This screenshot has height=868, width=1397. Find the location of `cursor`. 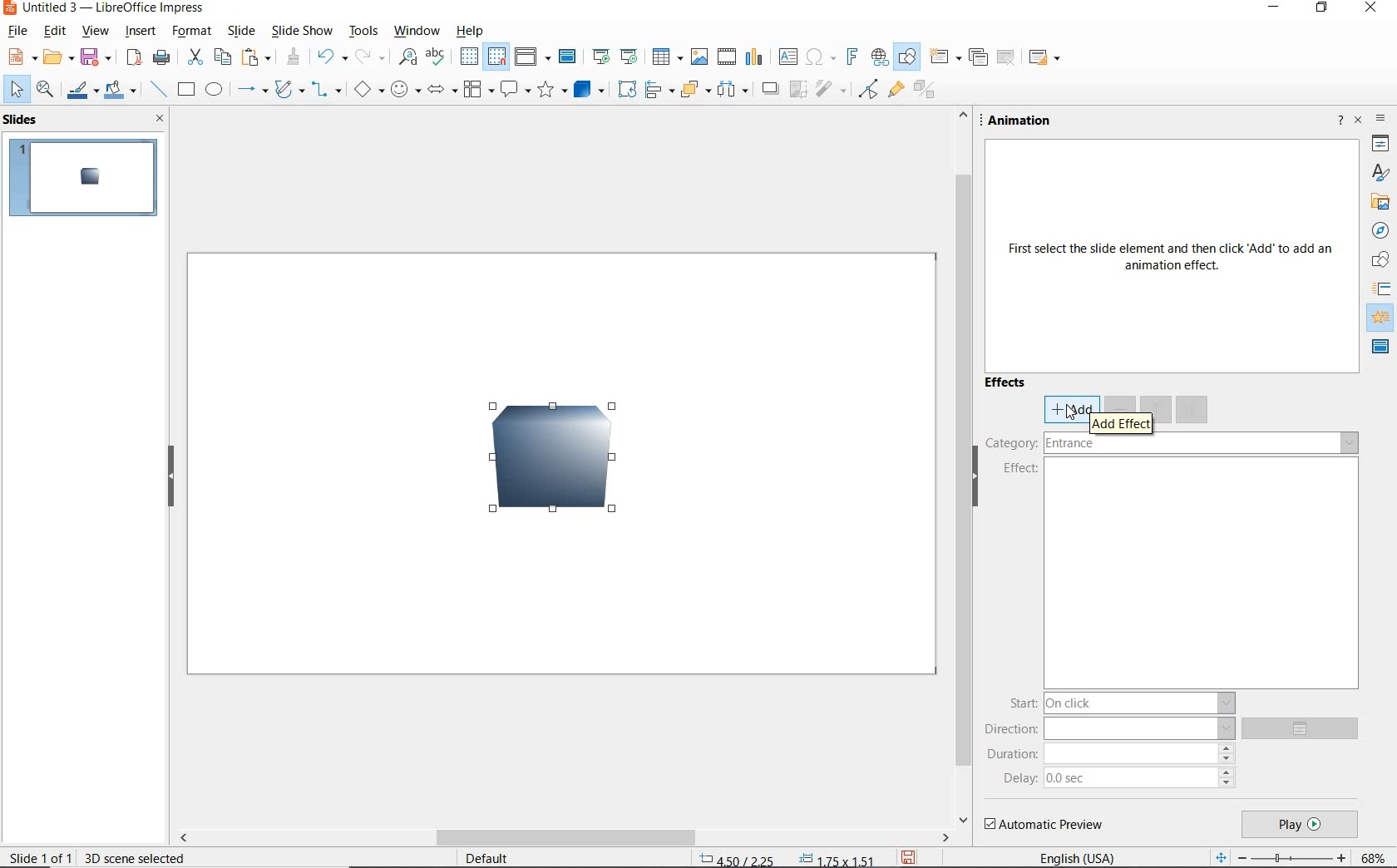

cursor is located at coordinates (1069, 412).